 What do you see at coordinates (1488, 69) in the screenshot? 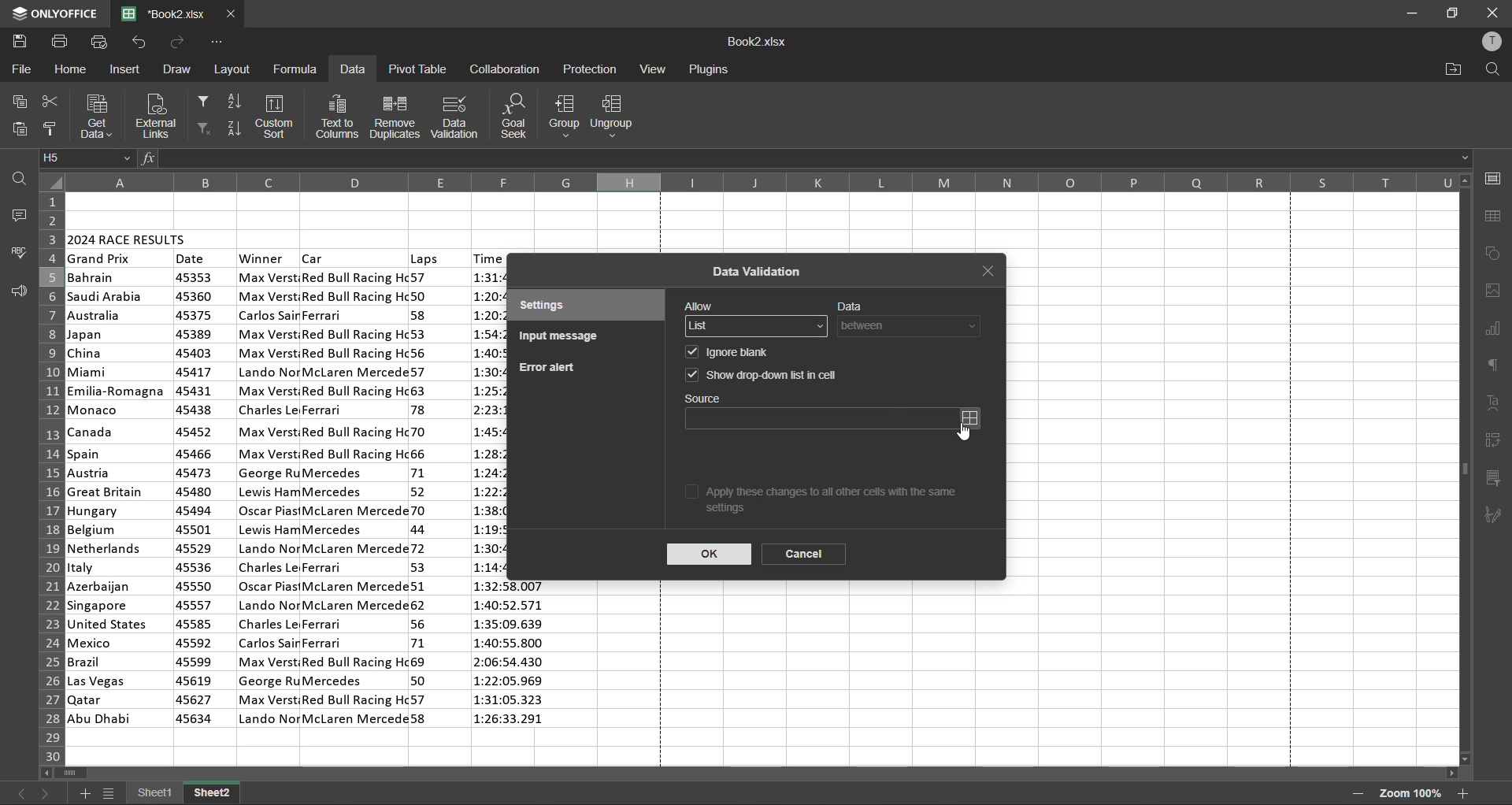
I see `find` at bounding box center [1488, 69].